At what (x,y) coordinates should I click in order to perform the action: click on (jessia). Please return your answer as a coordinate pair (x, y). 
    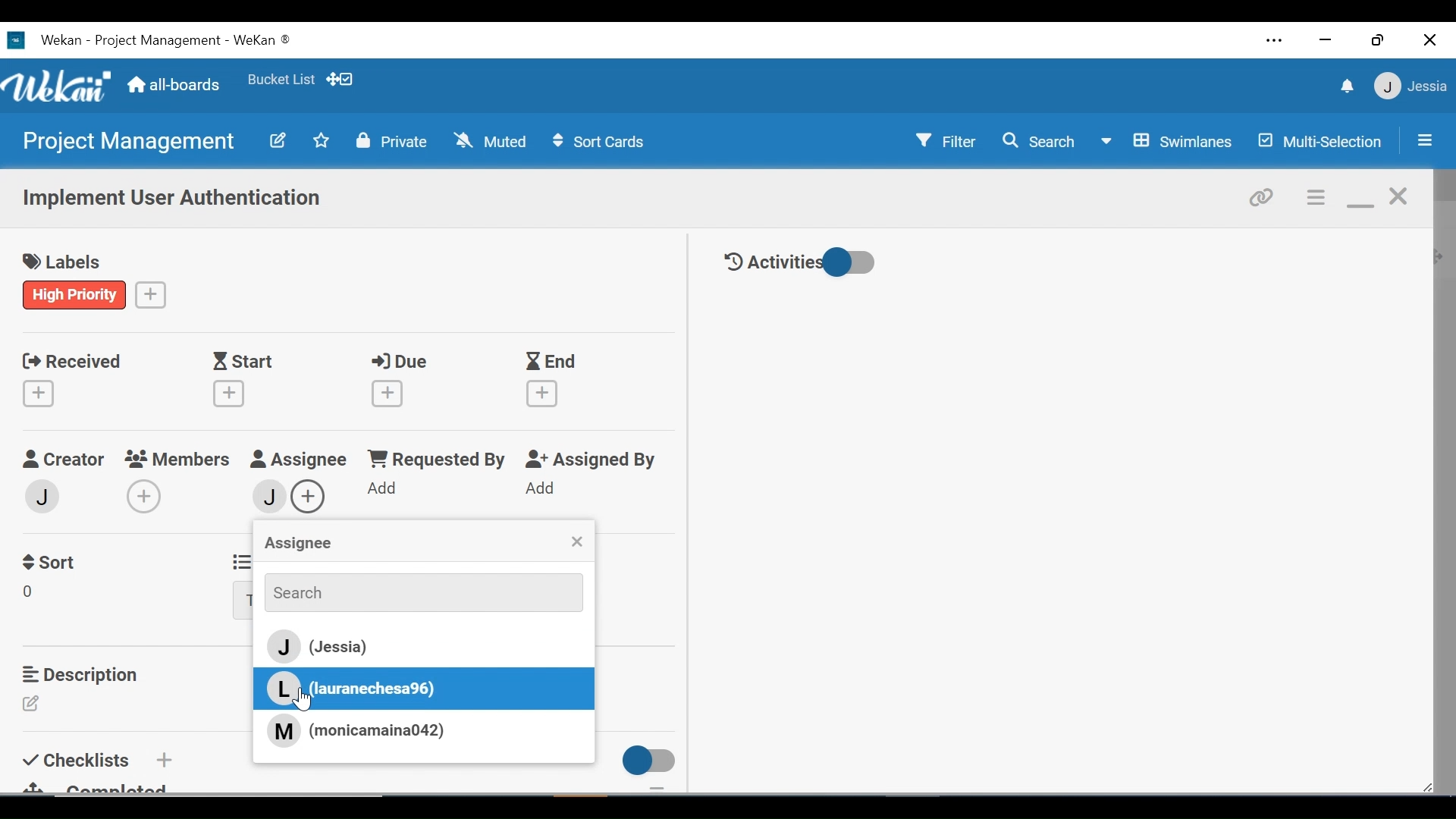
    Looking at the image, I should click on (420, 648).